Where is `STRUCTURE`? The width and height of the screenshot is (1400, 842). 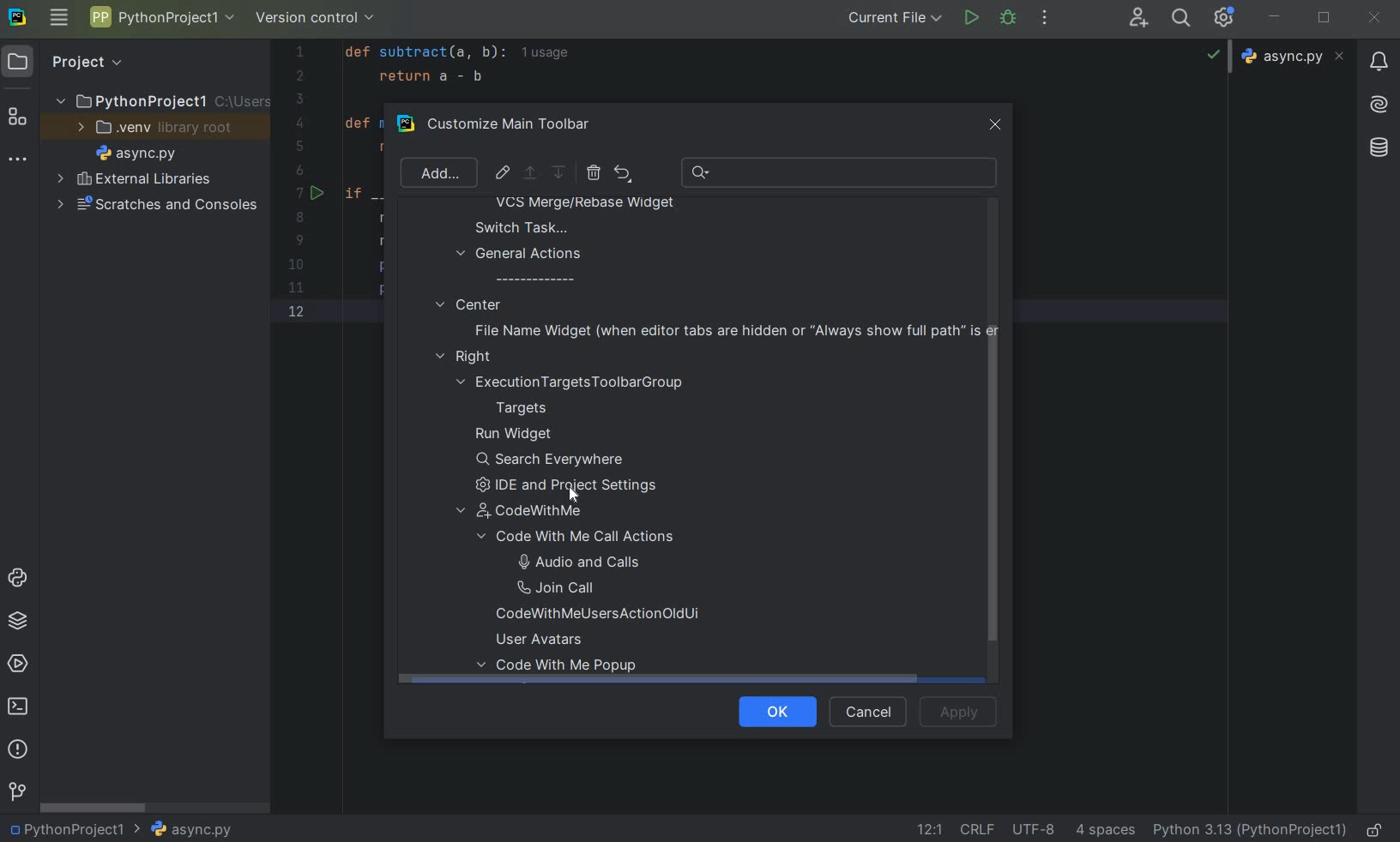
STRUCTURE is located at coordinates (19, 119).